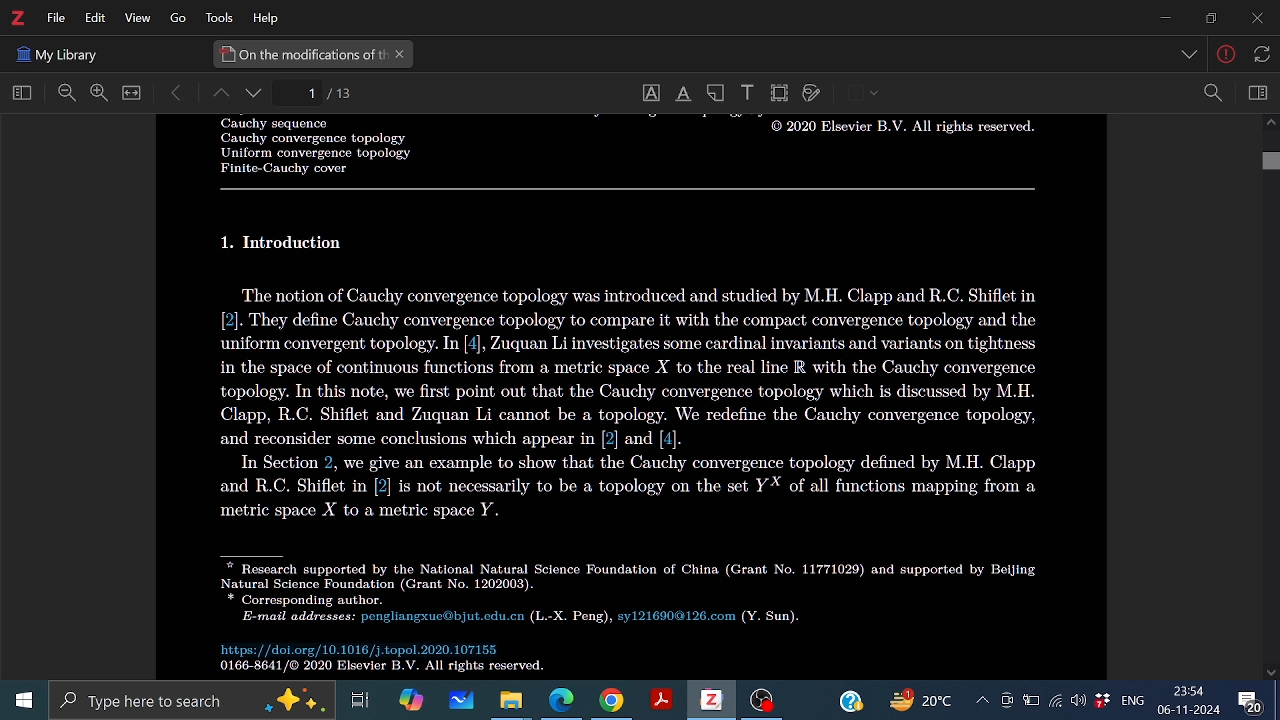 This screenshot has width=1280, height=720. Describe the element at coordinates (1191, 56) in the screenshot. I see `` at that location.